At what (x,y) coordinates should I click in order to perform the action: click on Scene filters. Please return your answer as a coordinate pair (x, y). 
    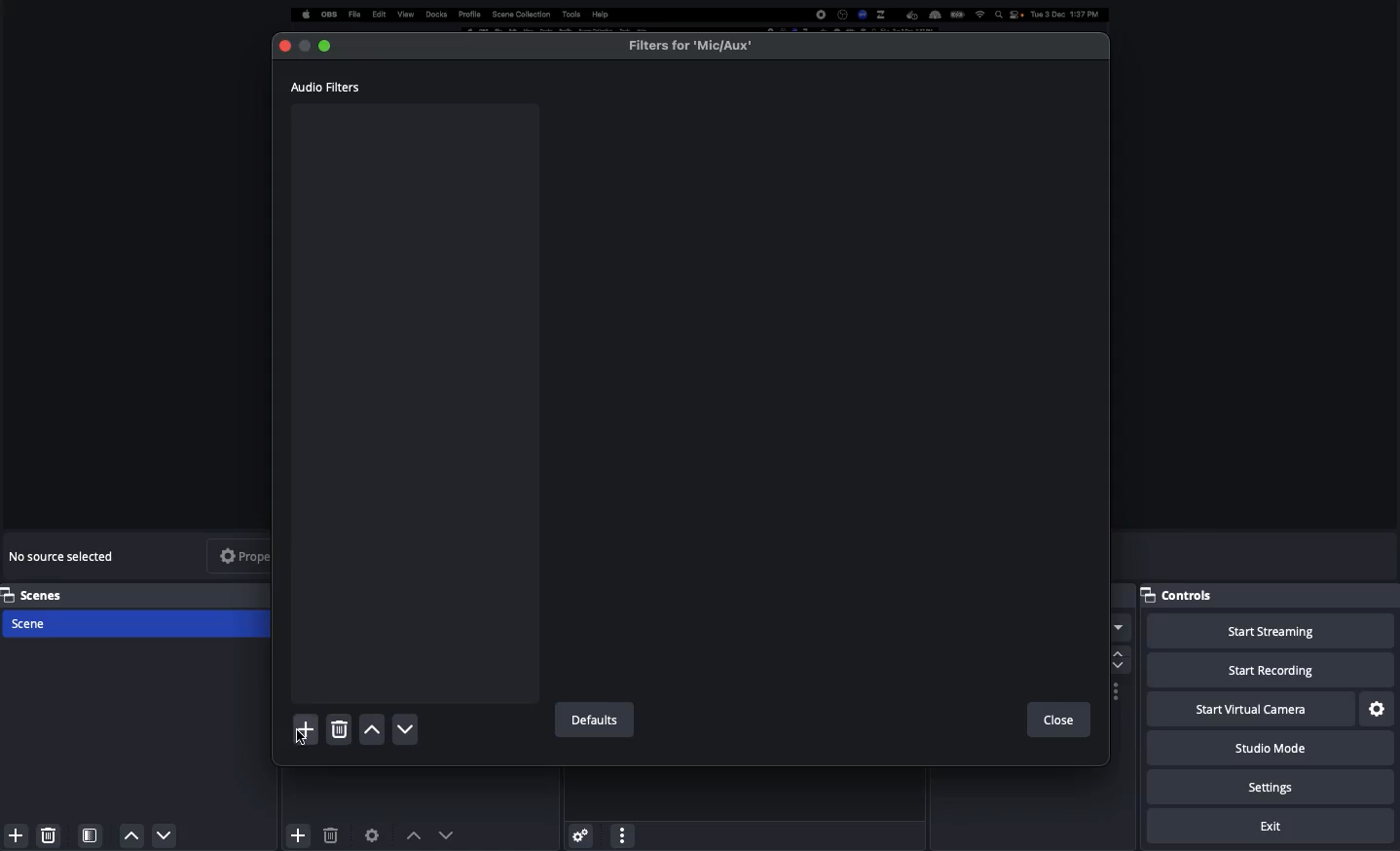
    Looking at the image, I should click on (91, 832).